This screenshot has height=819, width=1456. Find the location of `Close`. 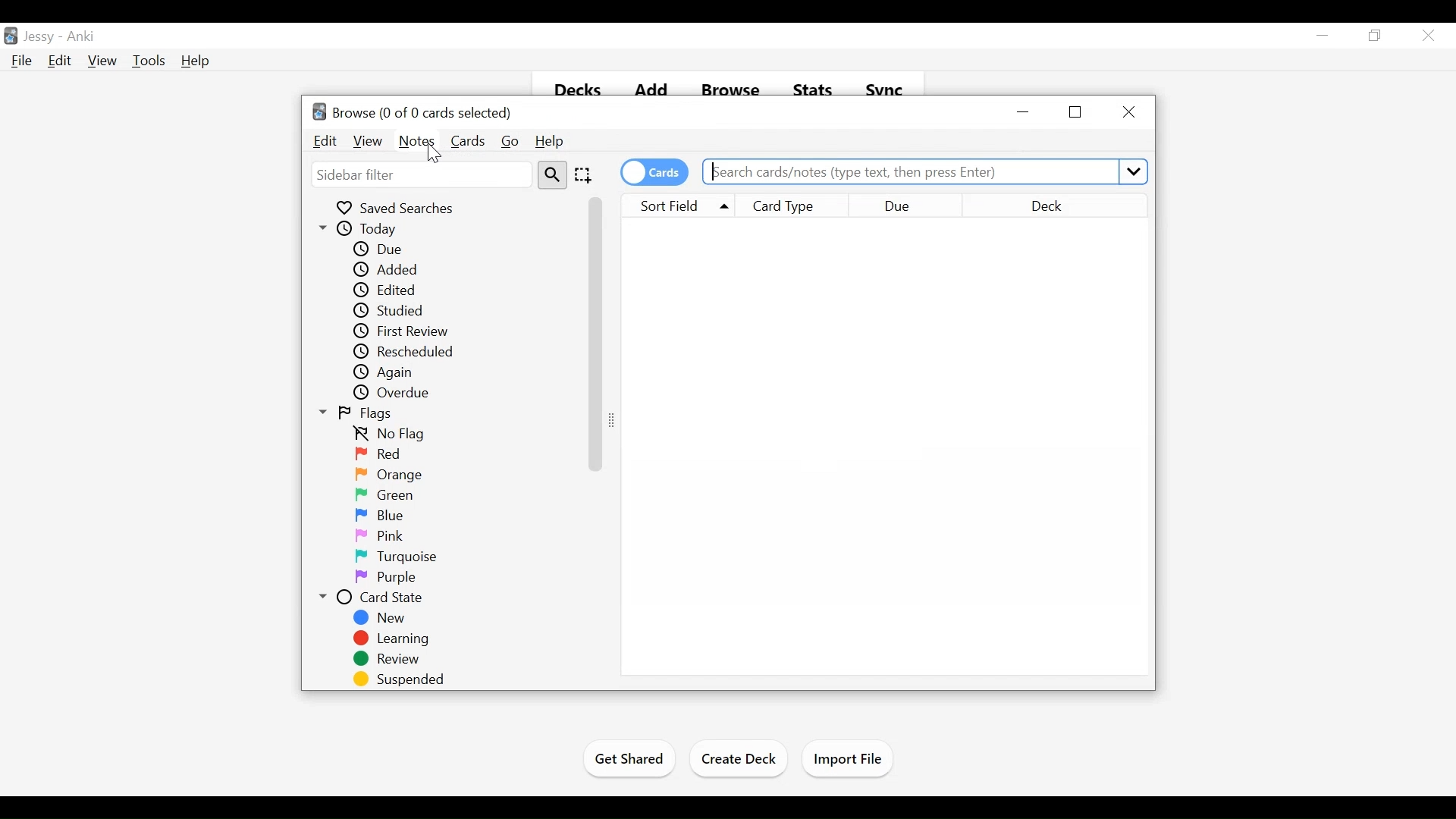

Close is located at coordinates (1127, 111).